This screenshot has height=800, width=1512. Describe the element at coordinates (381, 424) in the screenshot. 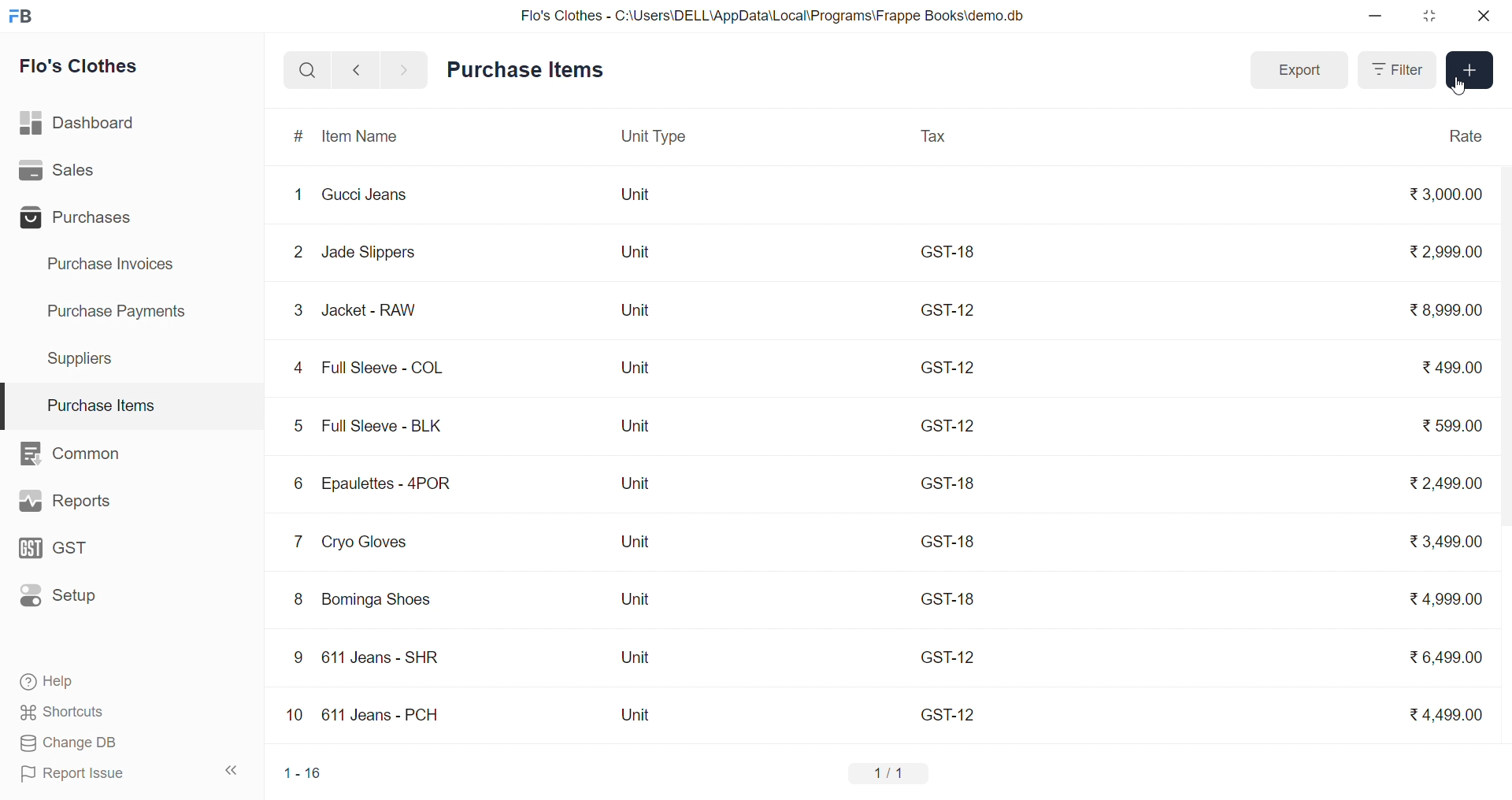

I see `Full Sleeve - BLK` at that location.